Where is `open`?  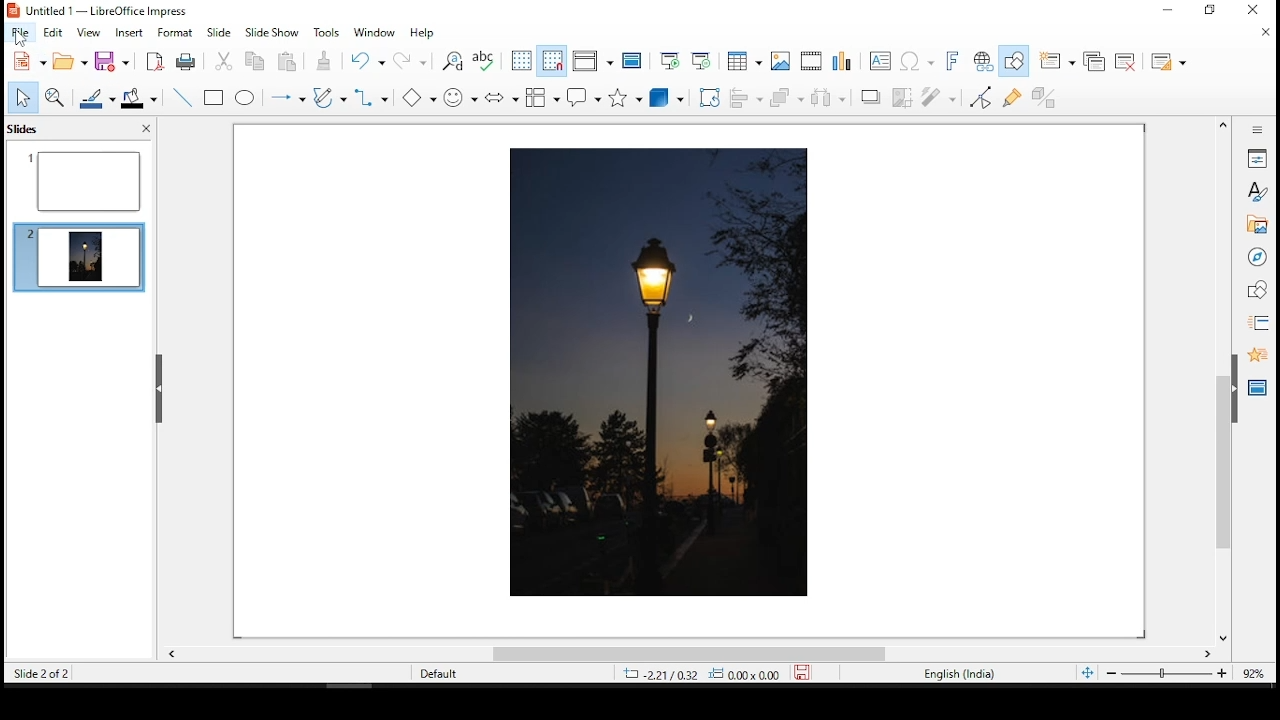 open is located at coordinates (71, 60).